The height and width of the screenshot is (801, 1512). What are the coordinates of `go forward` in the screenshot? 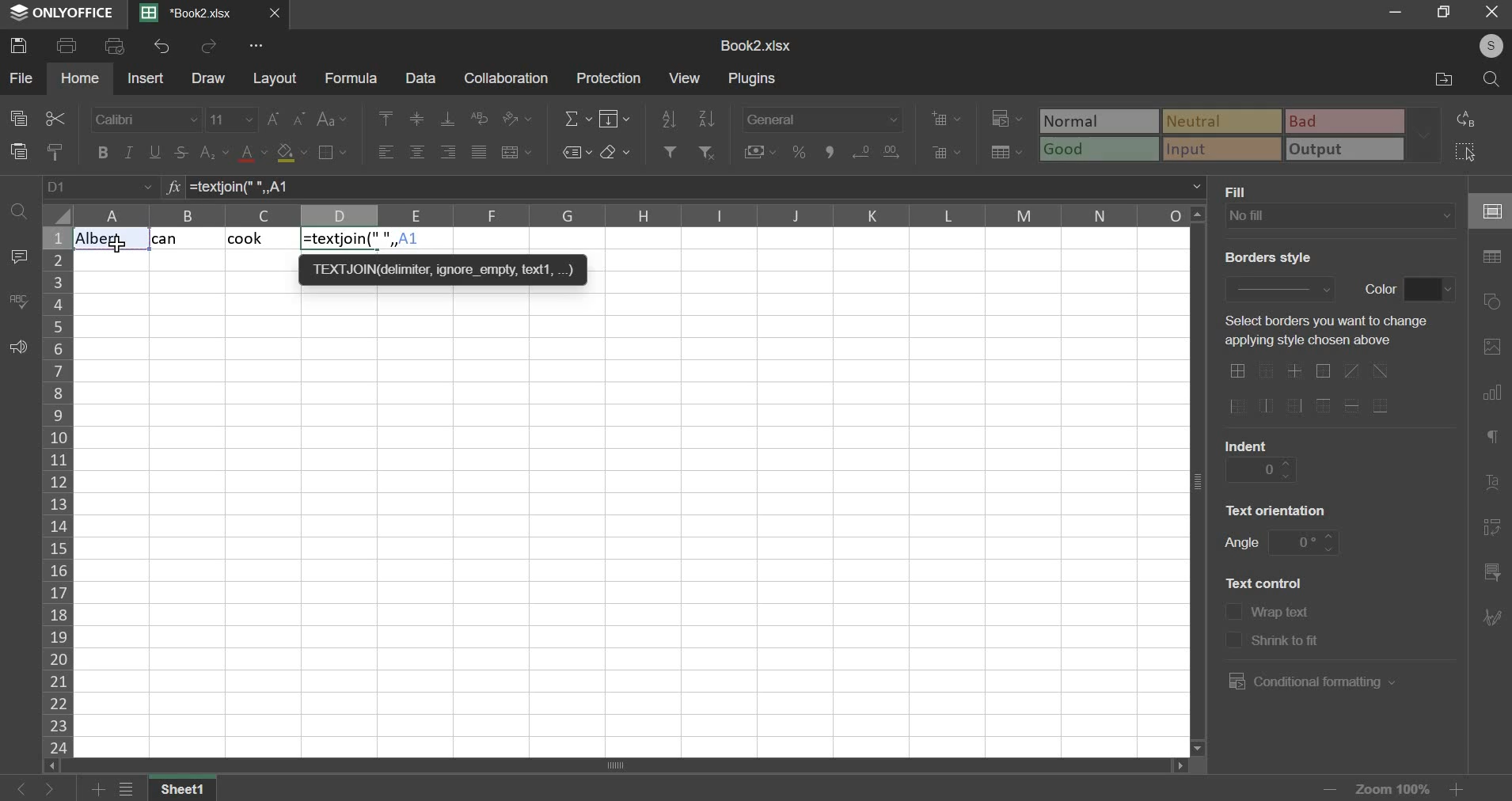 It's located at (61, 789).